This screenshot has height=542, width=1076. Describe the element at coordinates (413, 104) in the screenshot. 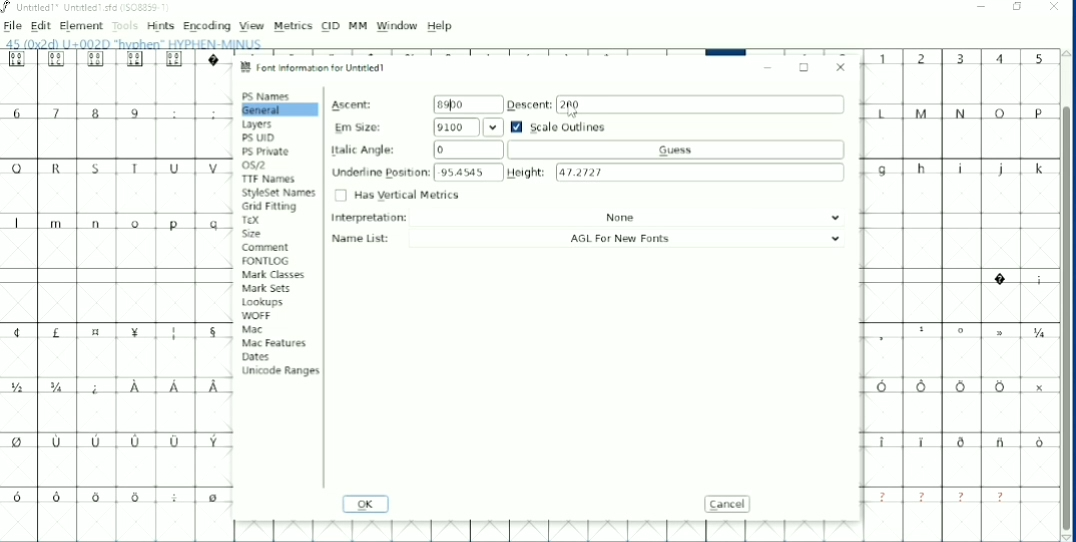

I see `Ascent` at that location.